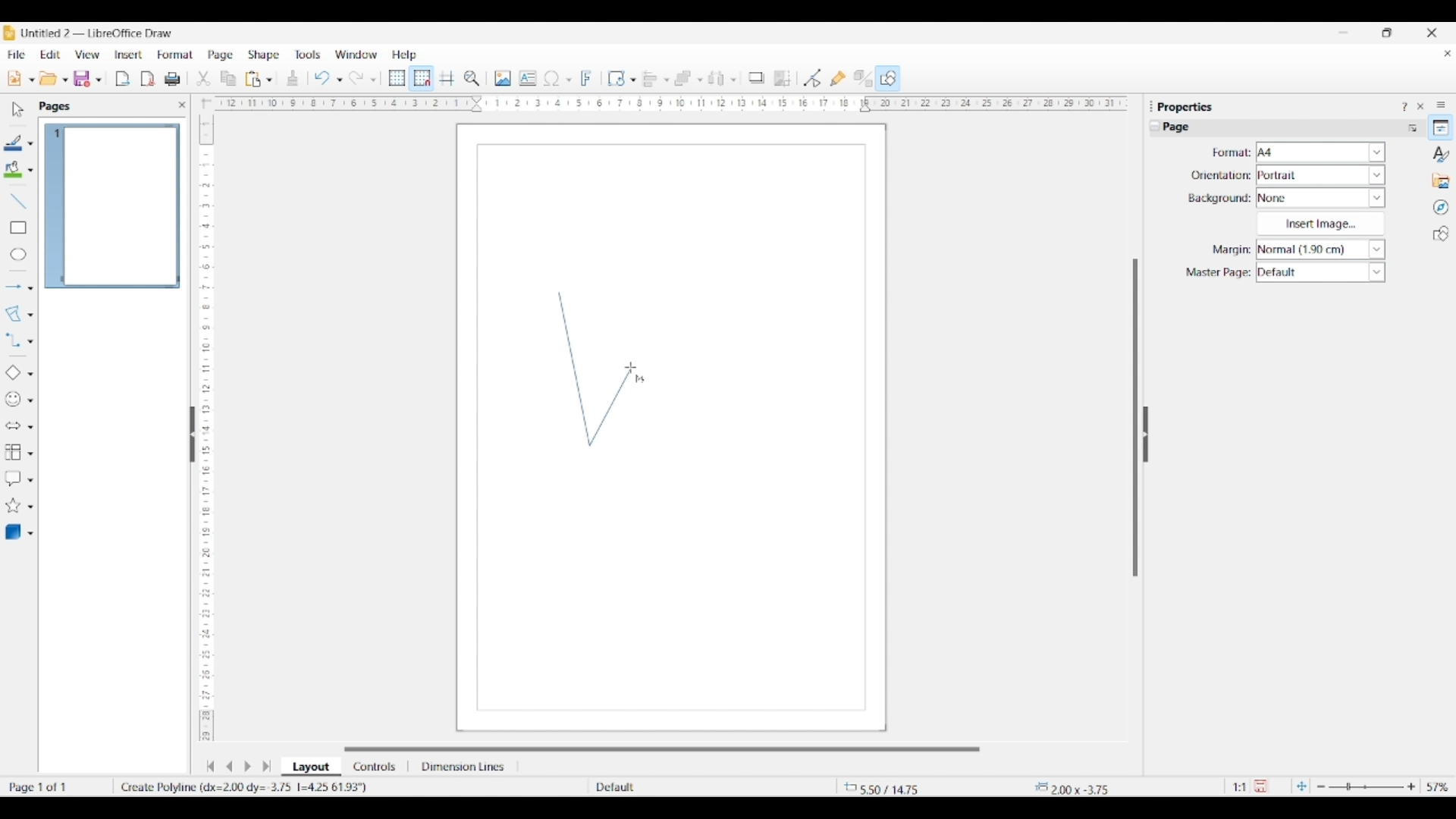  Describe the element at coordinates (1321, 787) in the screenshot. I see `Zoom out` at that location.